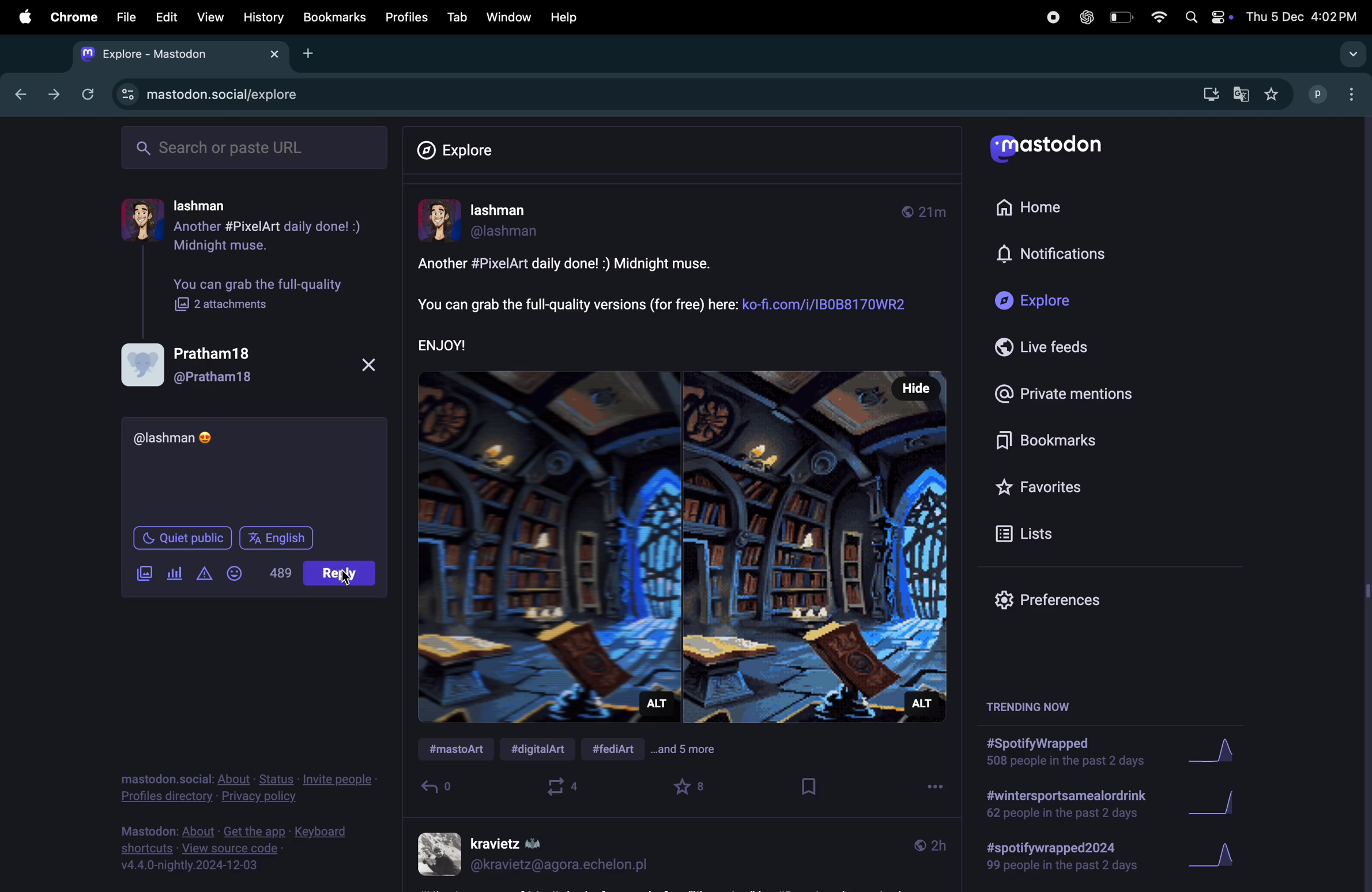 Image resolution: width=1372 pixels, height=892 pixels. I want to click on graph, so click(1217, 754).